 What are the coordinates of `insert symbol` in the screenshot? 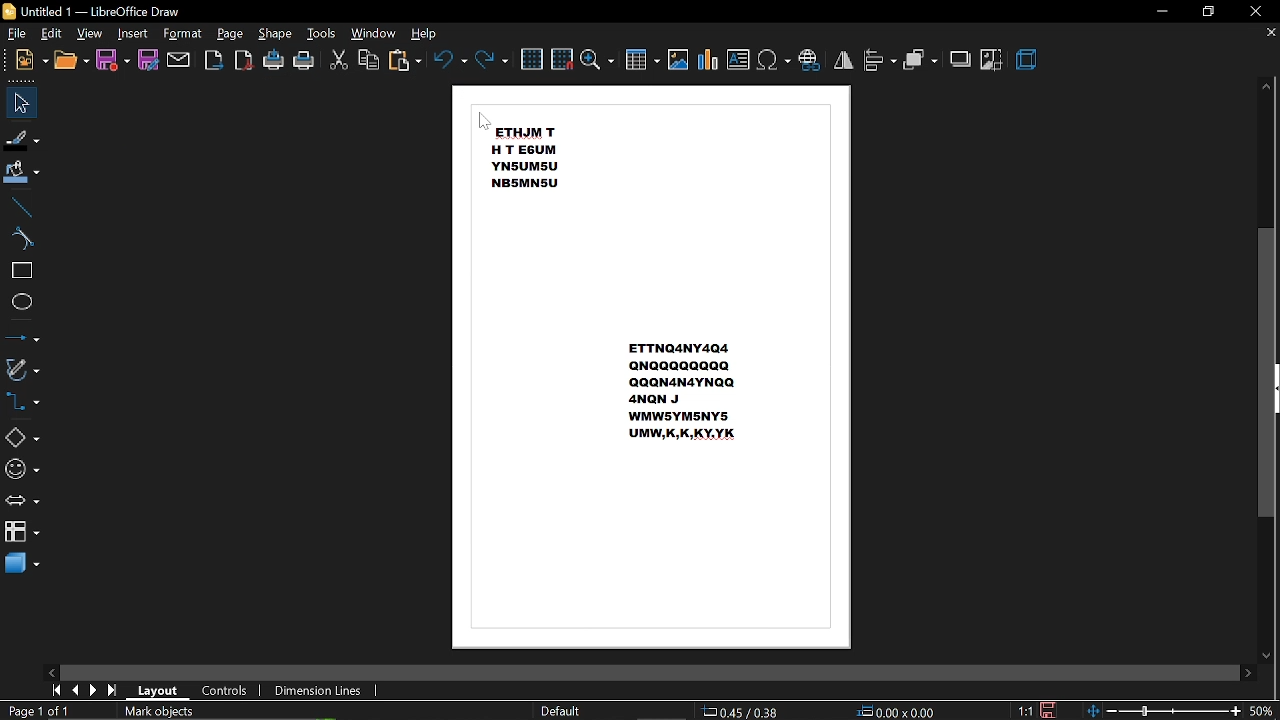 It's located at (773, 60).